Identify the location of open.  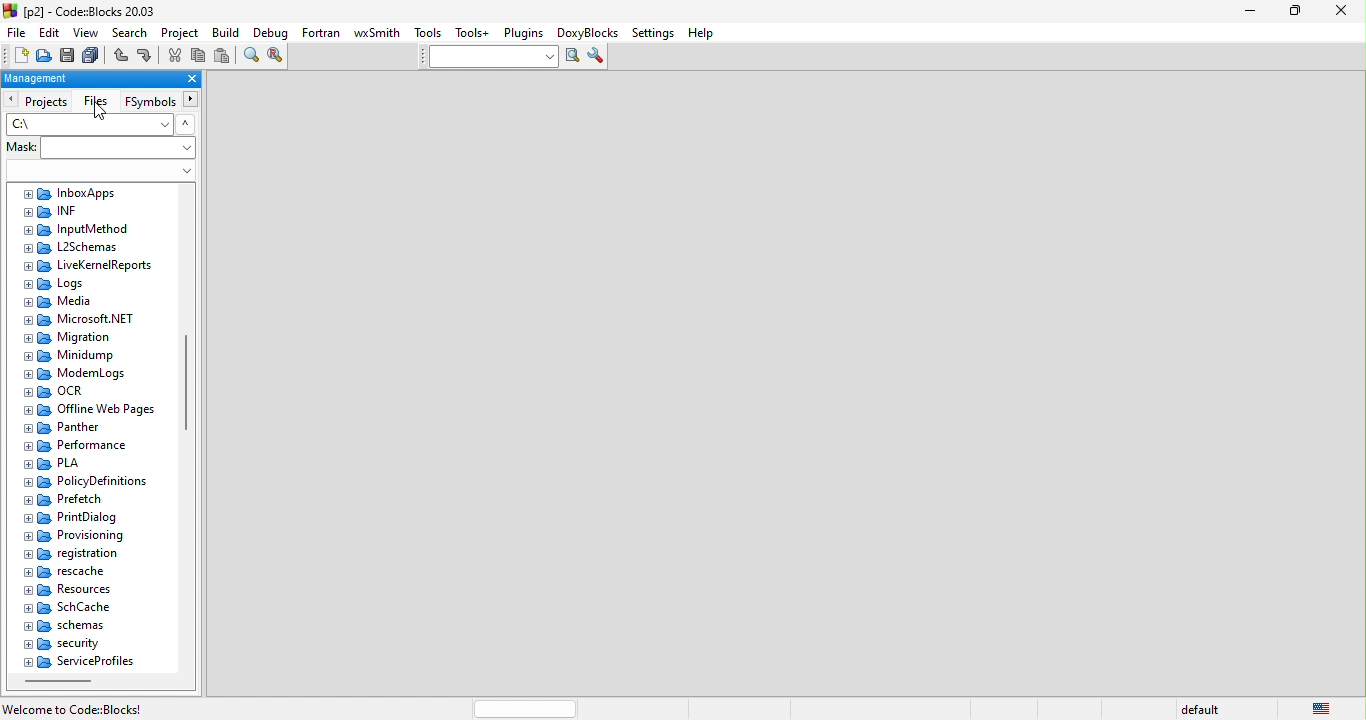
(46, 56).